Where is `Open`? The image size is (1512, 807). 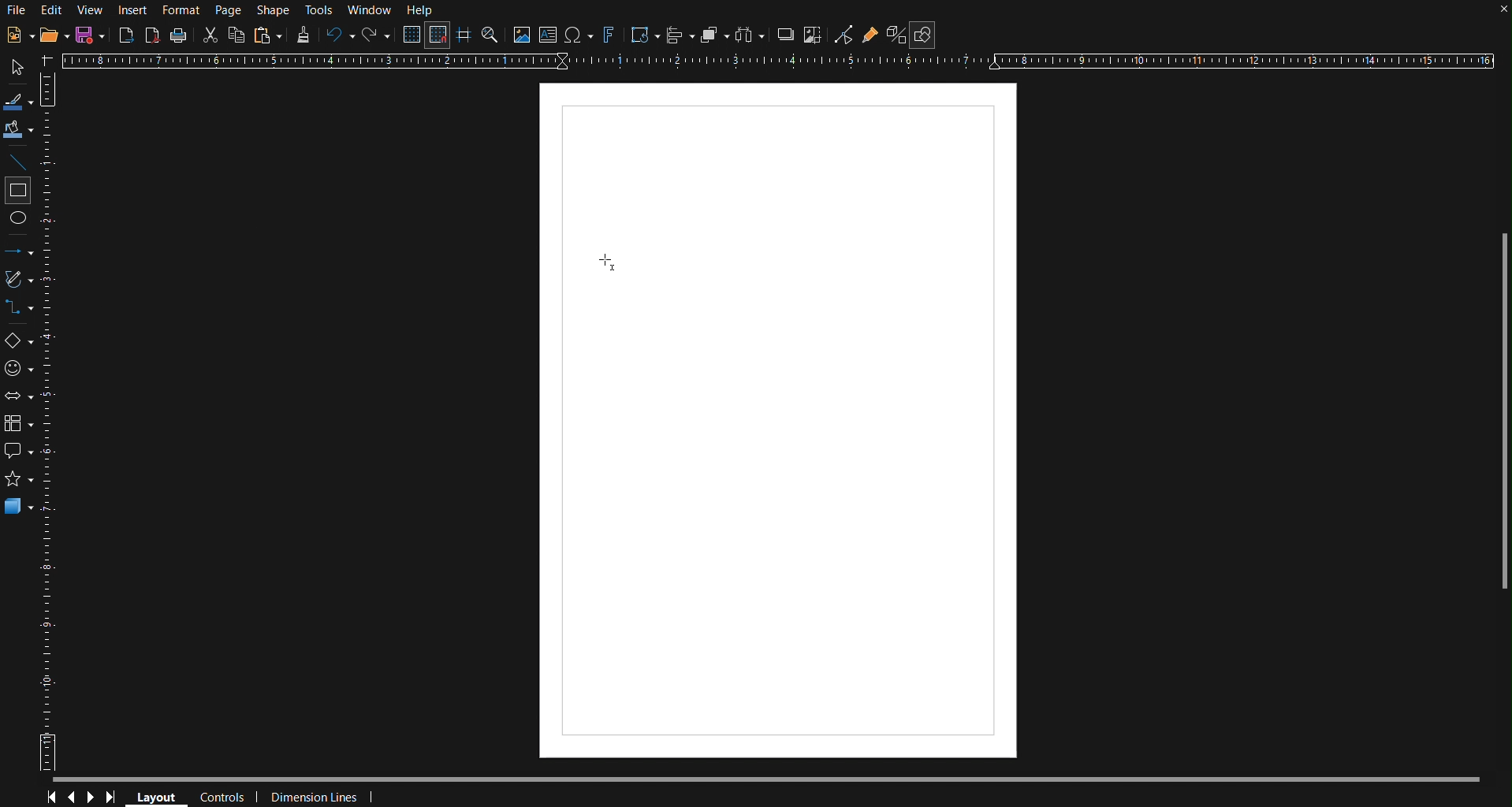 Open is located at coordinates (56, 34).